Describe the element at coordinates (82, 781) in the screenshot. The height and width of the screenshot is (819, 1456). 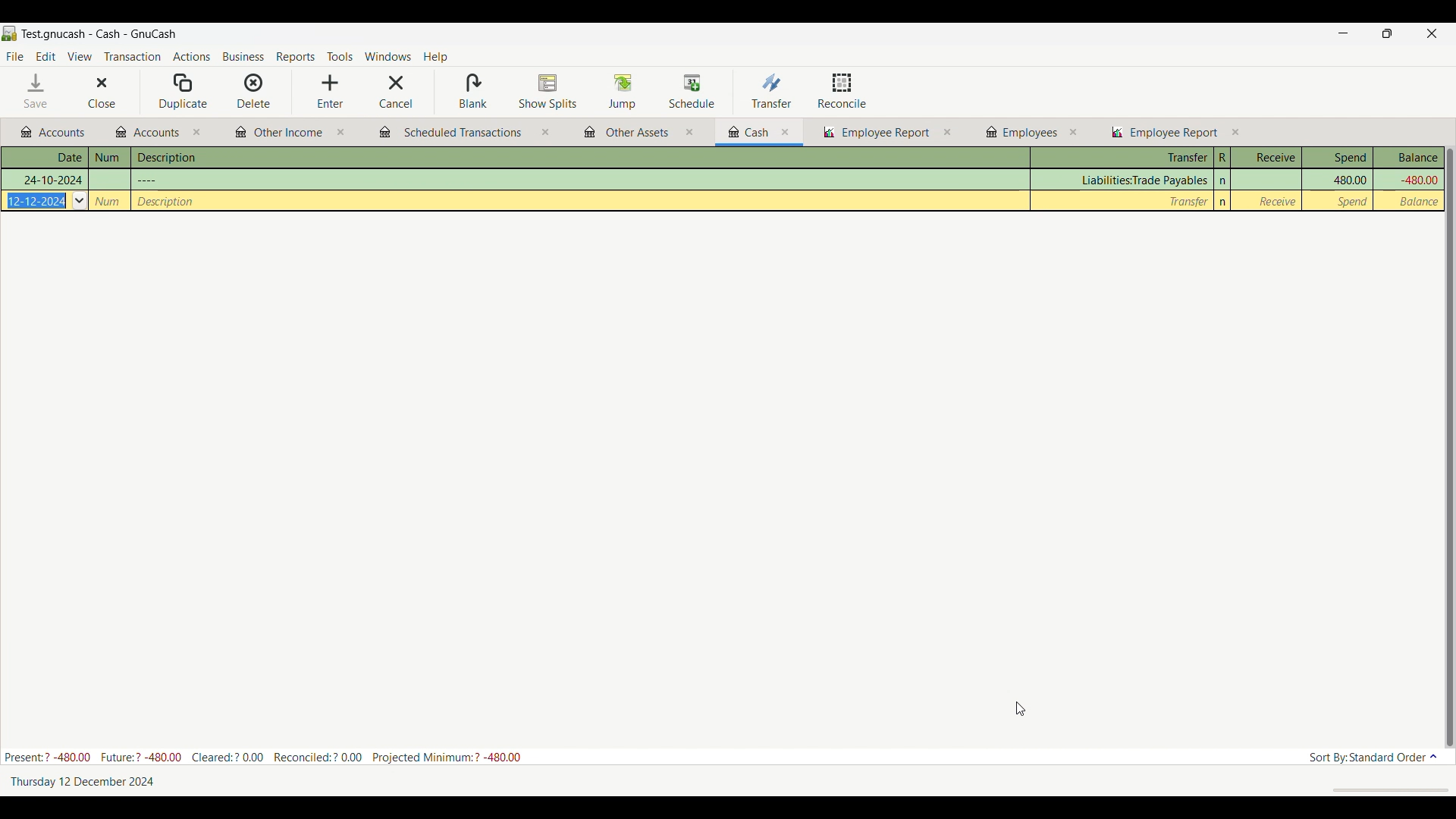
I see `Current date` at that location.